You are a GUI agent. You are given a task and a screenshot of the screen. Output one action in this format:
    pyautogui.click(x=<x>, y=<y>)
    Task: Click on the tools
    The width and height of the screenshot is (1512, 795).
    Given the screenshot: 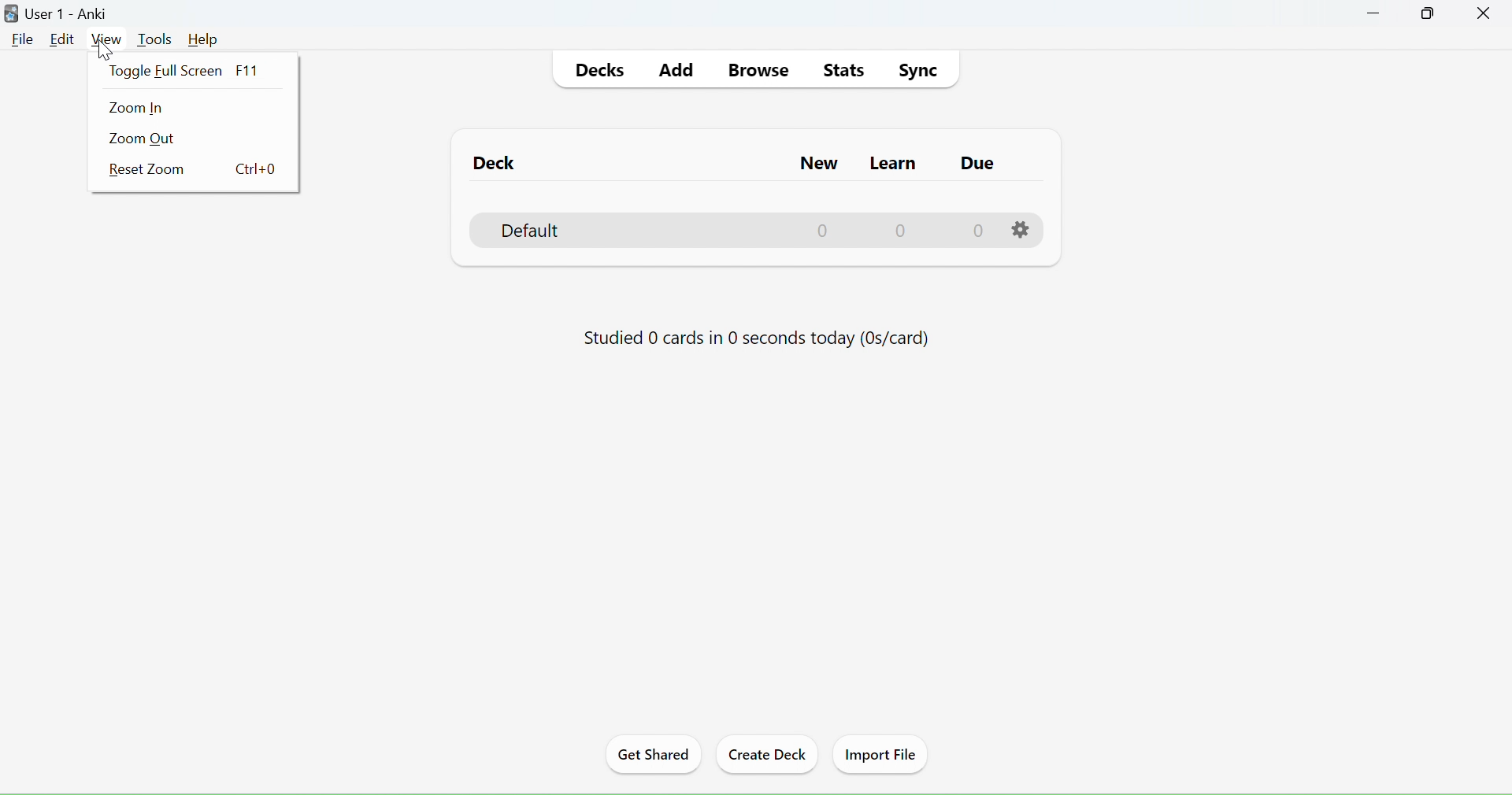 What is the action you would take?
    pyautogui.click(x=155, y=39)
    